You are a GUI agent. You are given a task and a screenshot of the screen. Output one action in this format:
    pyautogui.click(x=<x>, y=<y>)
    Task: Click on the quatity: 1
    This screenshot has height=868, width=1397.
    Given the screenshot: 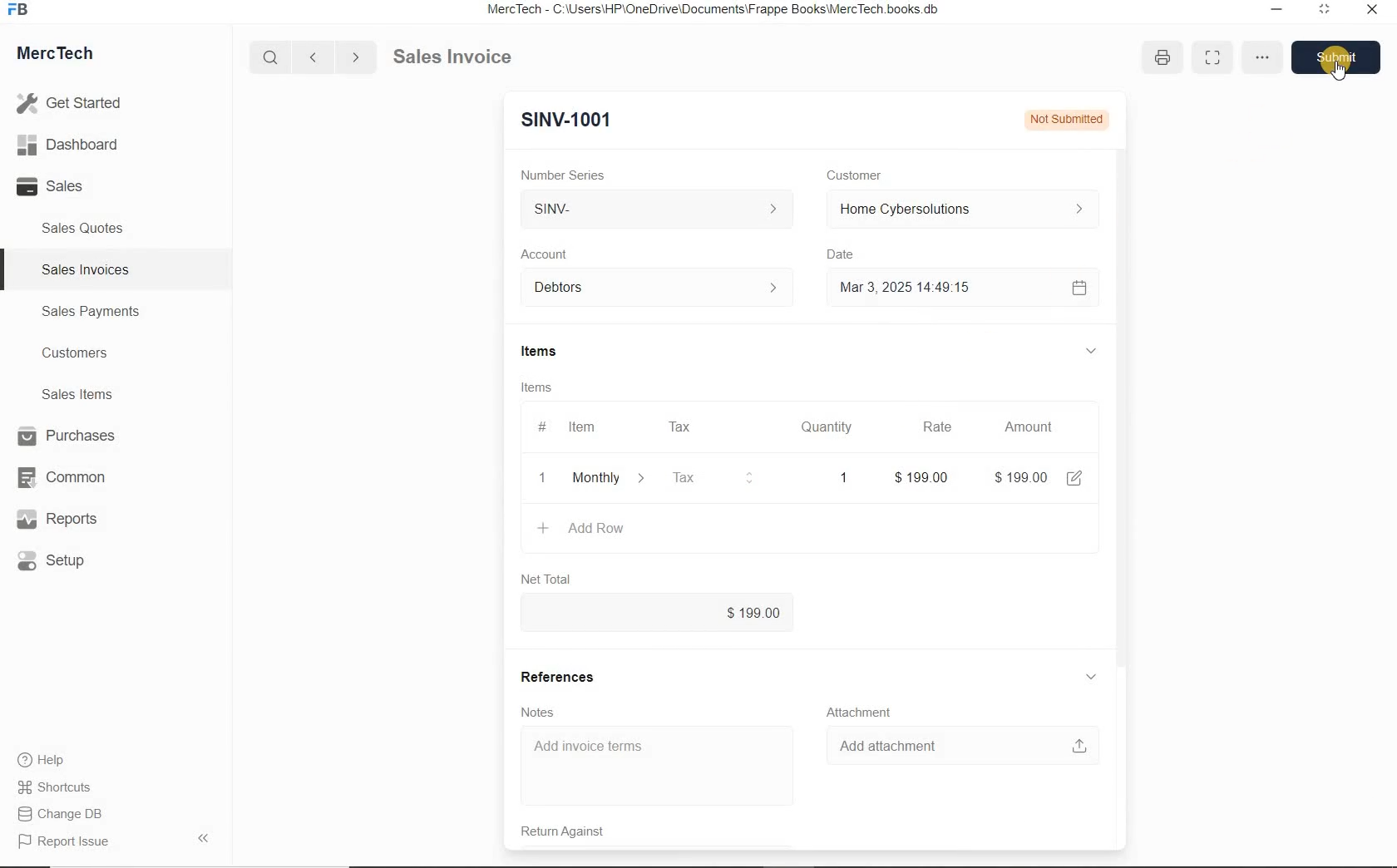 What is the action you would take?
    pyautogui.click(x=840, y=476)
    